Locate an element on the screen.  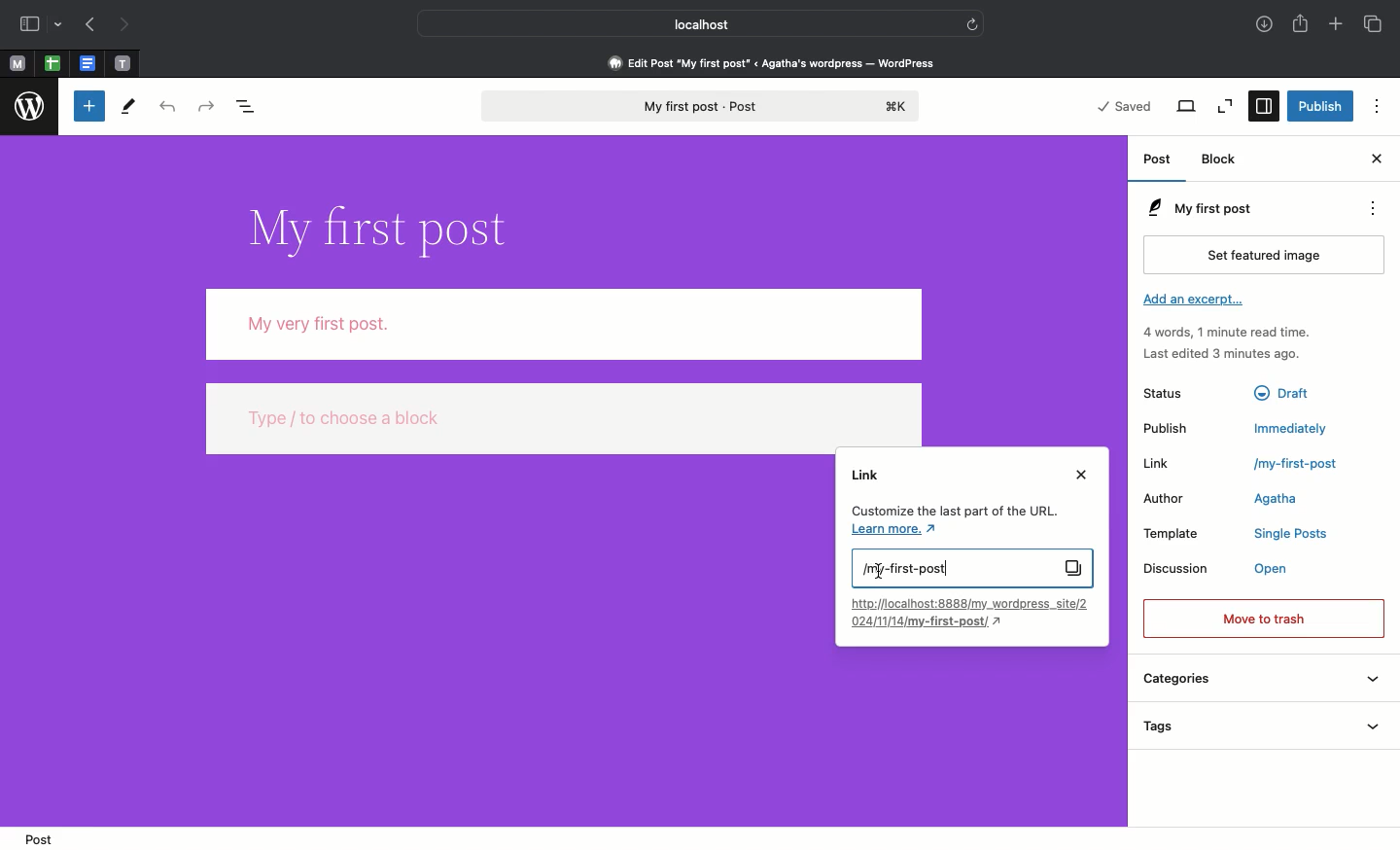
Zoom out is located at coordinates (1227, 108).